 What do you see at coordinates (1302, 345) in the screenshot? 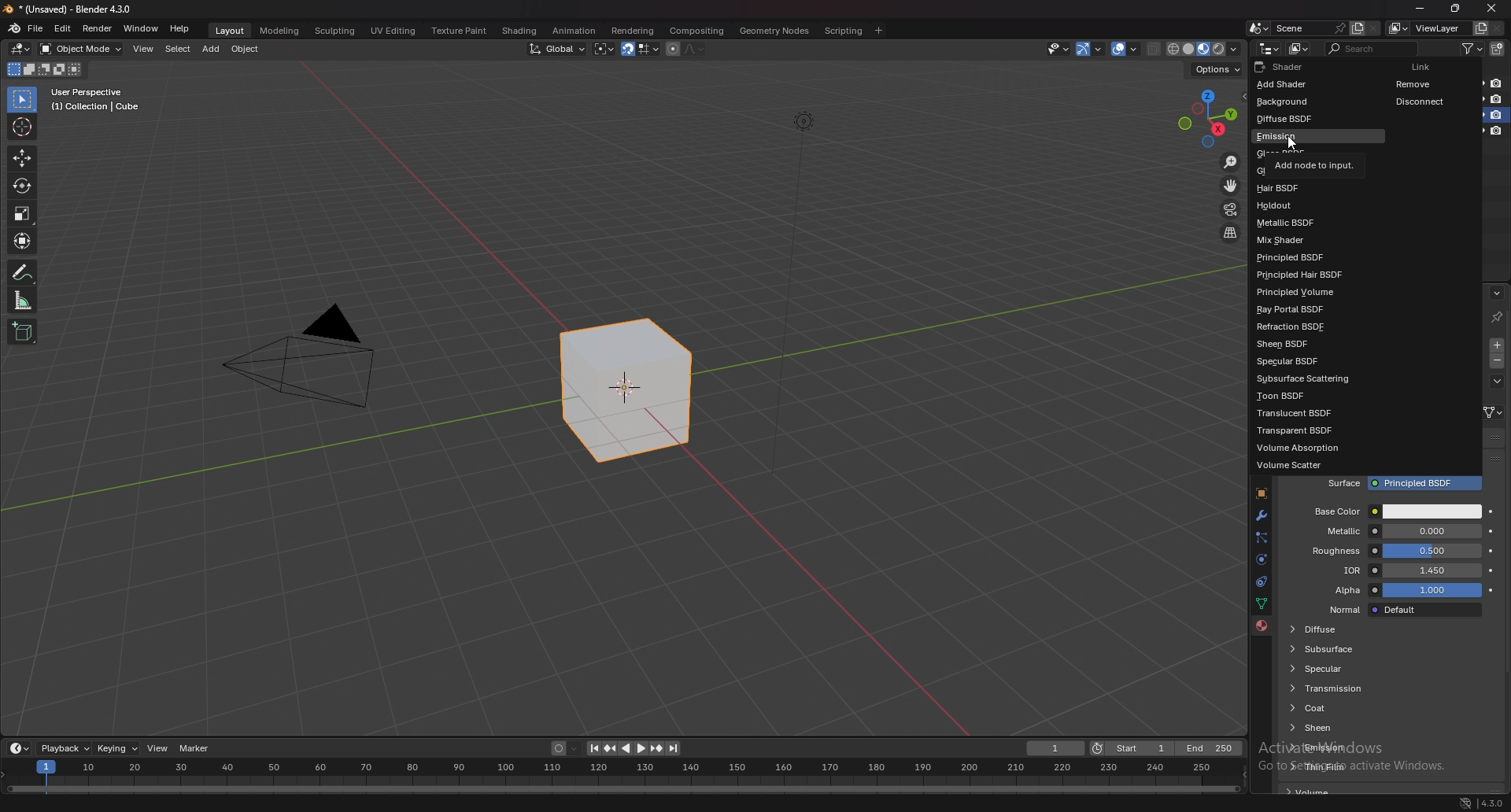
I see `sheen bsdf` at bounding box center [1302, 345].